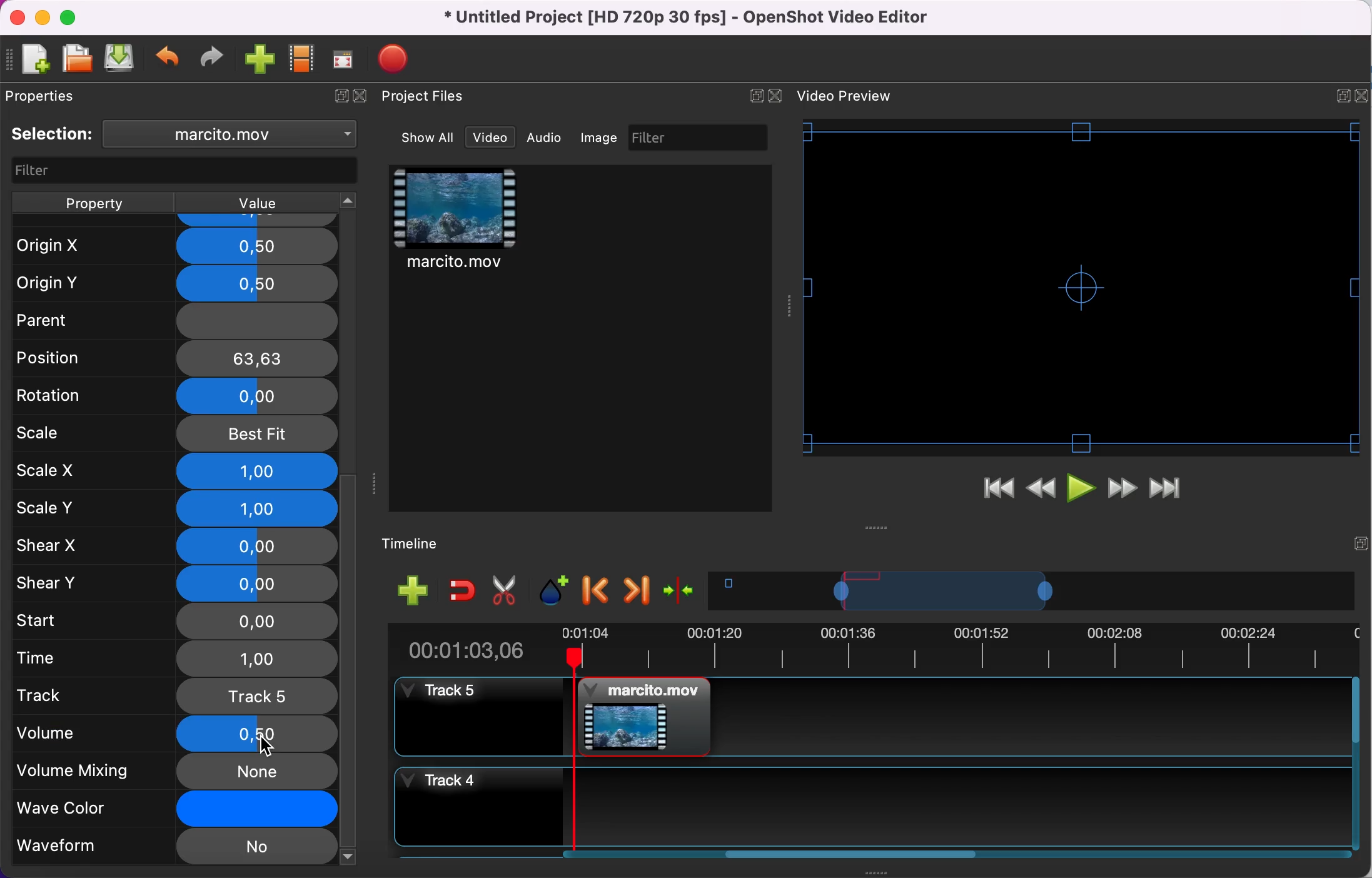 This screenshot has height=878, width=1372. Describe the element at coordinates (173, 317) in the screenshot. I see `Parent` at that location.